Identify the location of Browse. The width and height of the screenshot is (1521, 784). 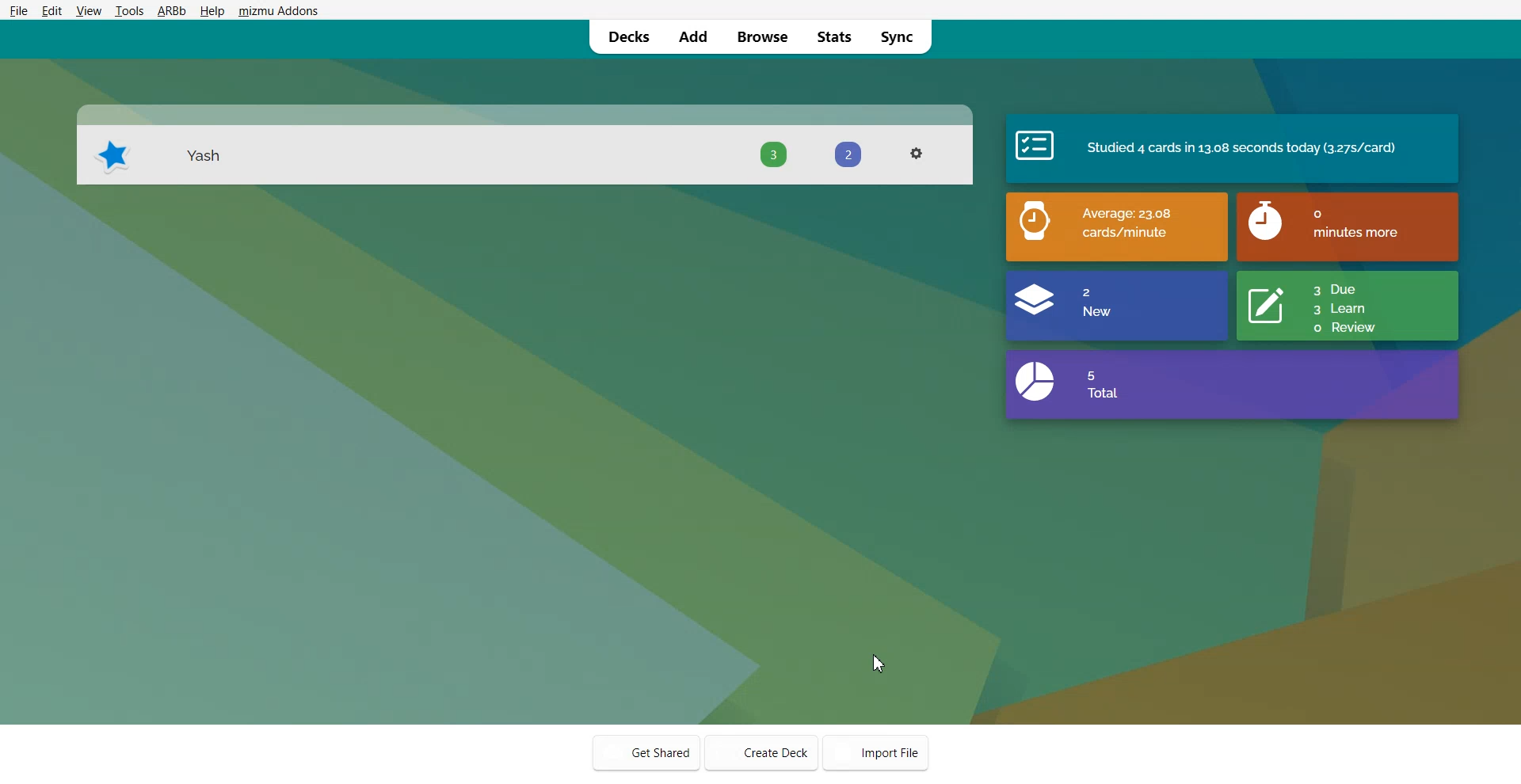
(761, 36).